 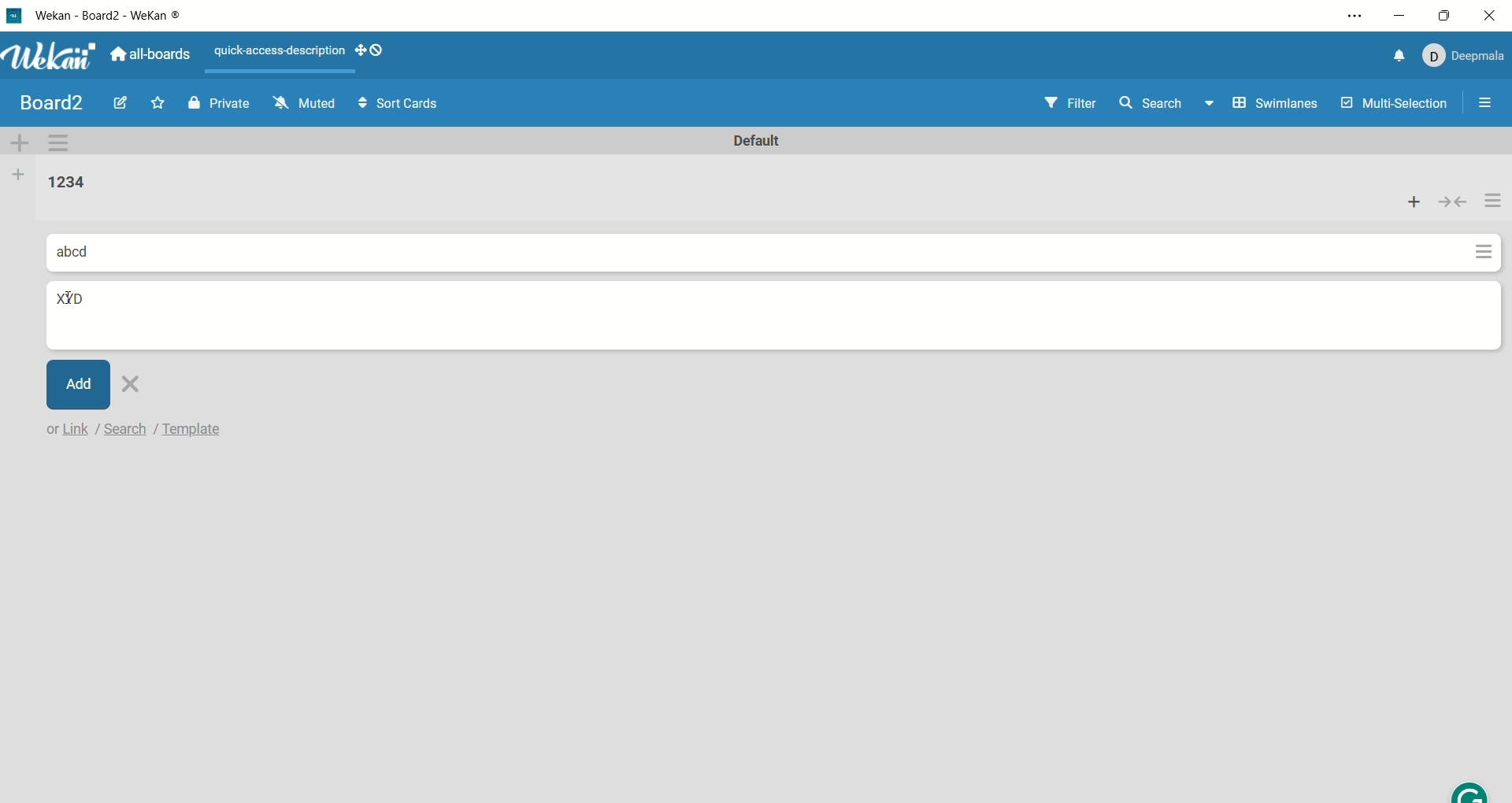 What do you see at coordinates (377, 50) in the screenshot?
I see `show-desktop-drag-handles` at bounding box center [377, 50].